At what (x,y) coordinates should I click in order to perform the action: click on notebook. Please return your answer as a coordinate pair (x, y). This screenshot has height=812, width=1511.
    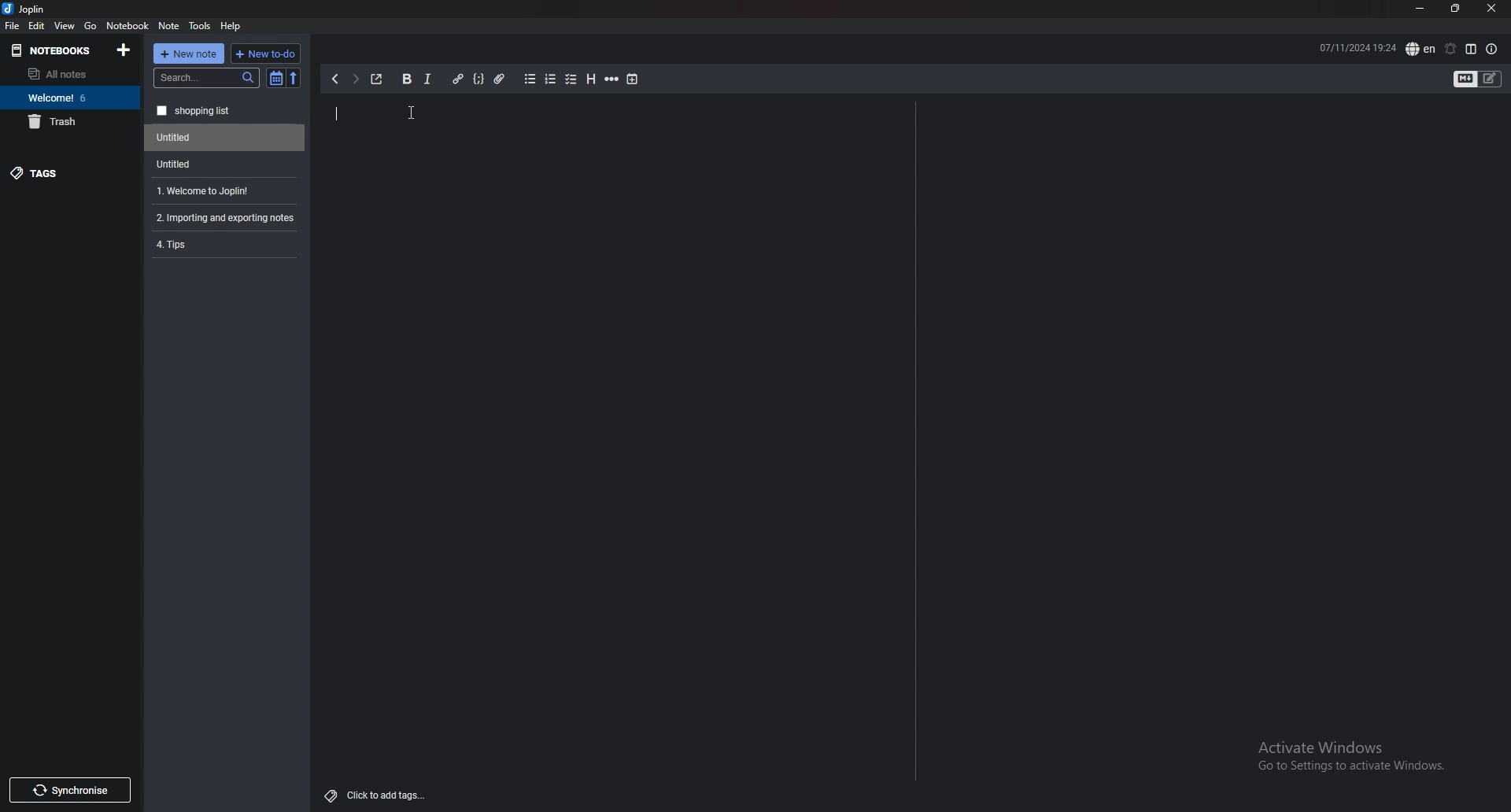
    Looking at the image, I should click on (127, 24).